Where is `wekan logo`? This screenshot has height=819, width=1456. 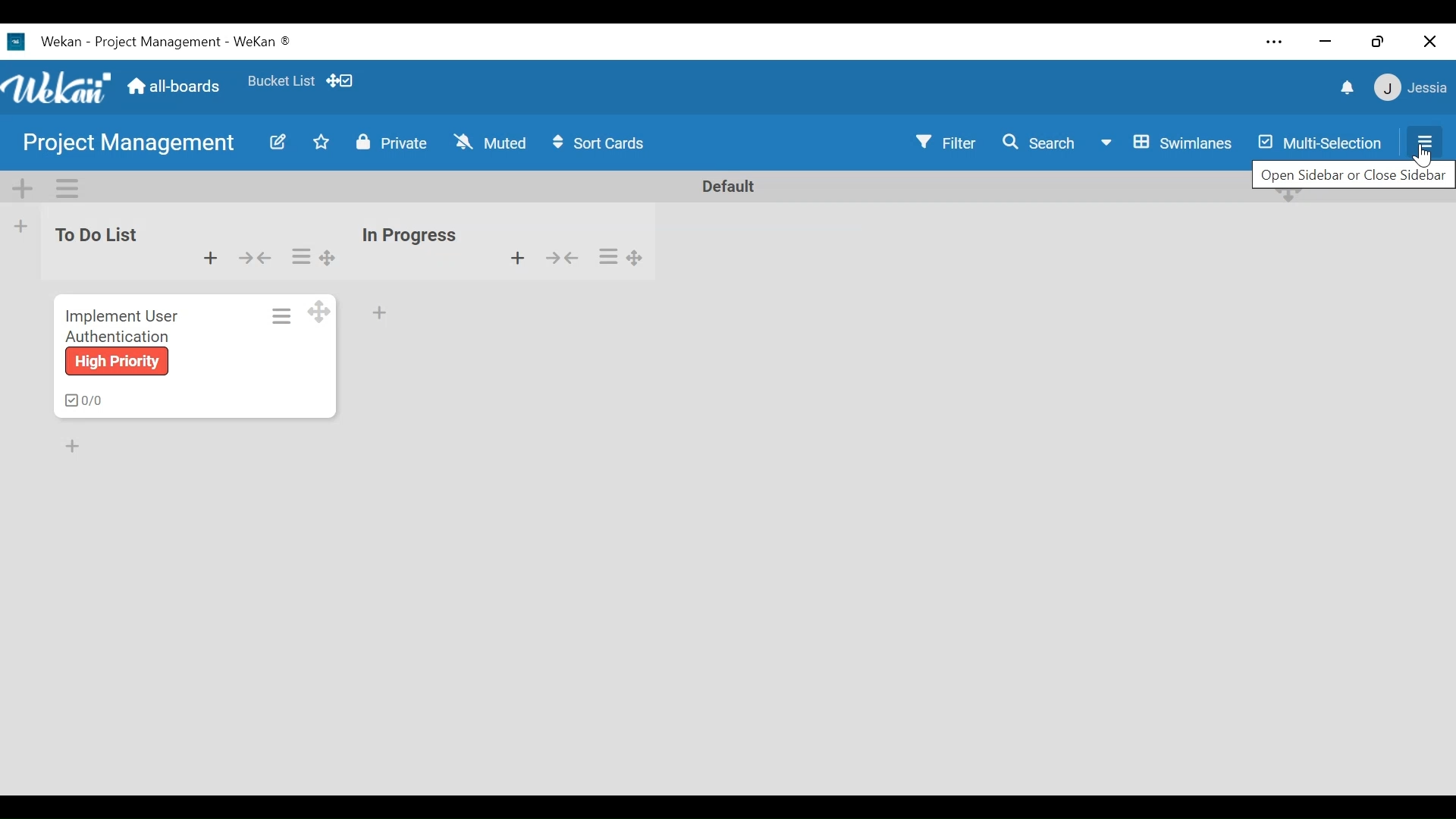 wekan logo is located at coordinates (59, 89).